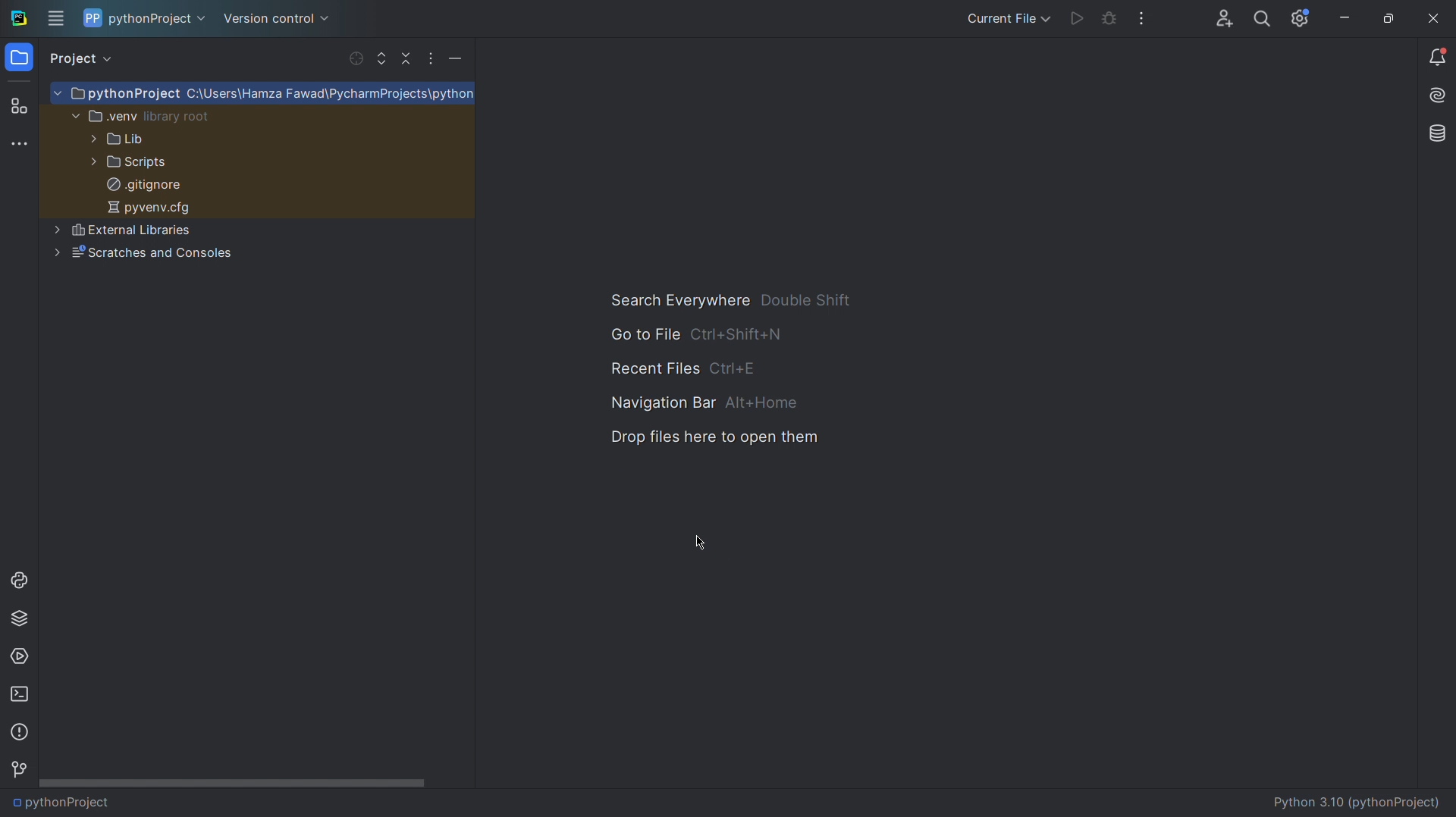 This screenshot has height=817, width=1456. Describe the element at coordinates (86, 58) in the screenshot. I see `Project` at that location.